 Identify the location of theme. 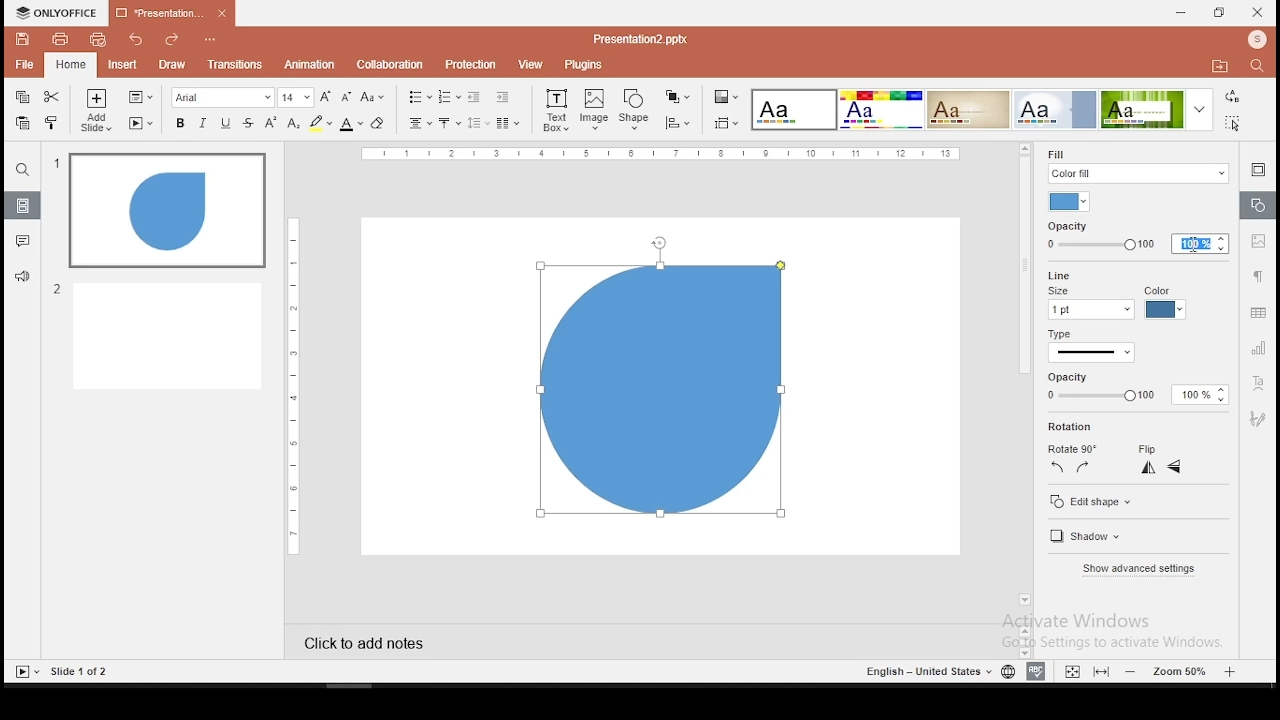
(968, 108).